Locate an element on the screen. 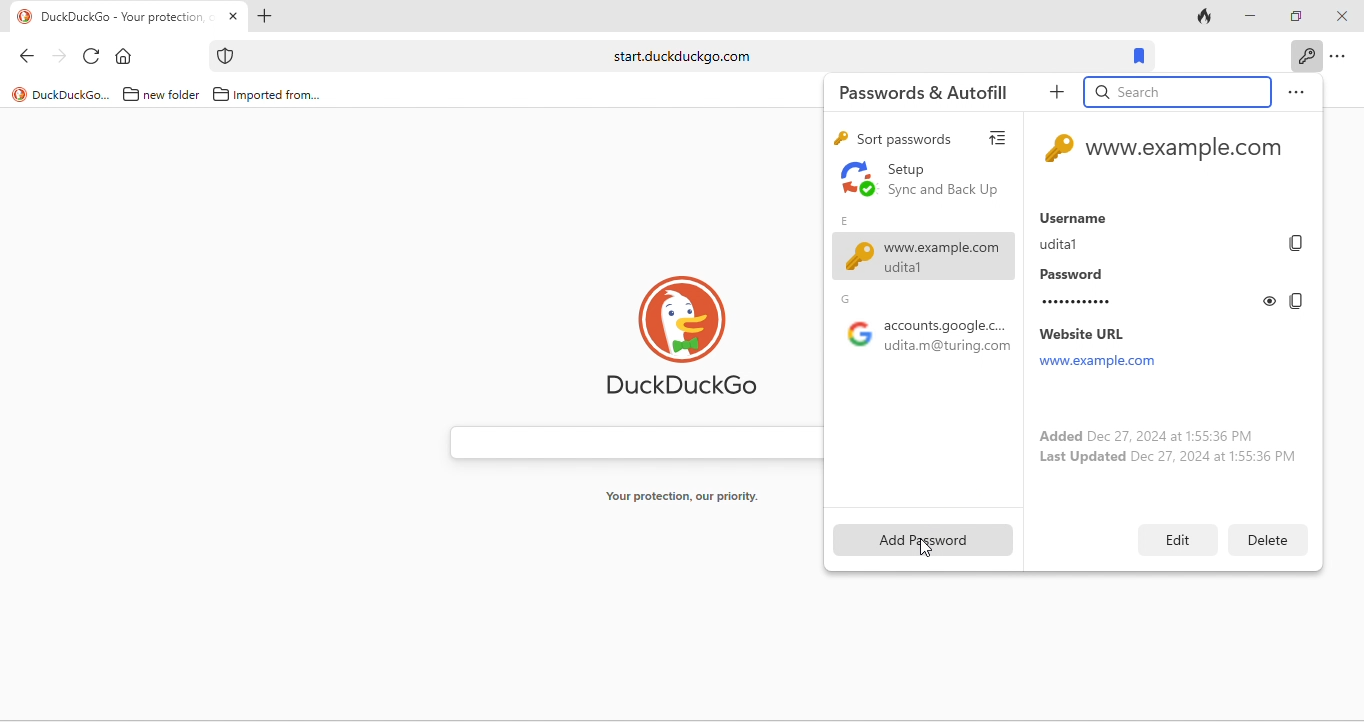 Image resolution: width=1364 pixels, height=722 pixels. minimize is located at coordinates (1247, 14).